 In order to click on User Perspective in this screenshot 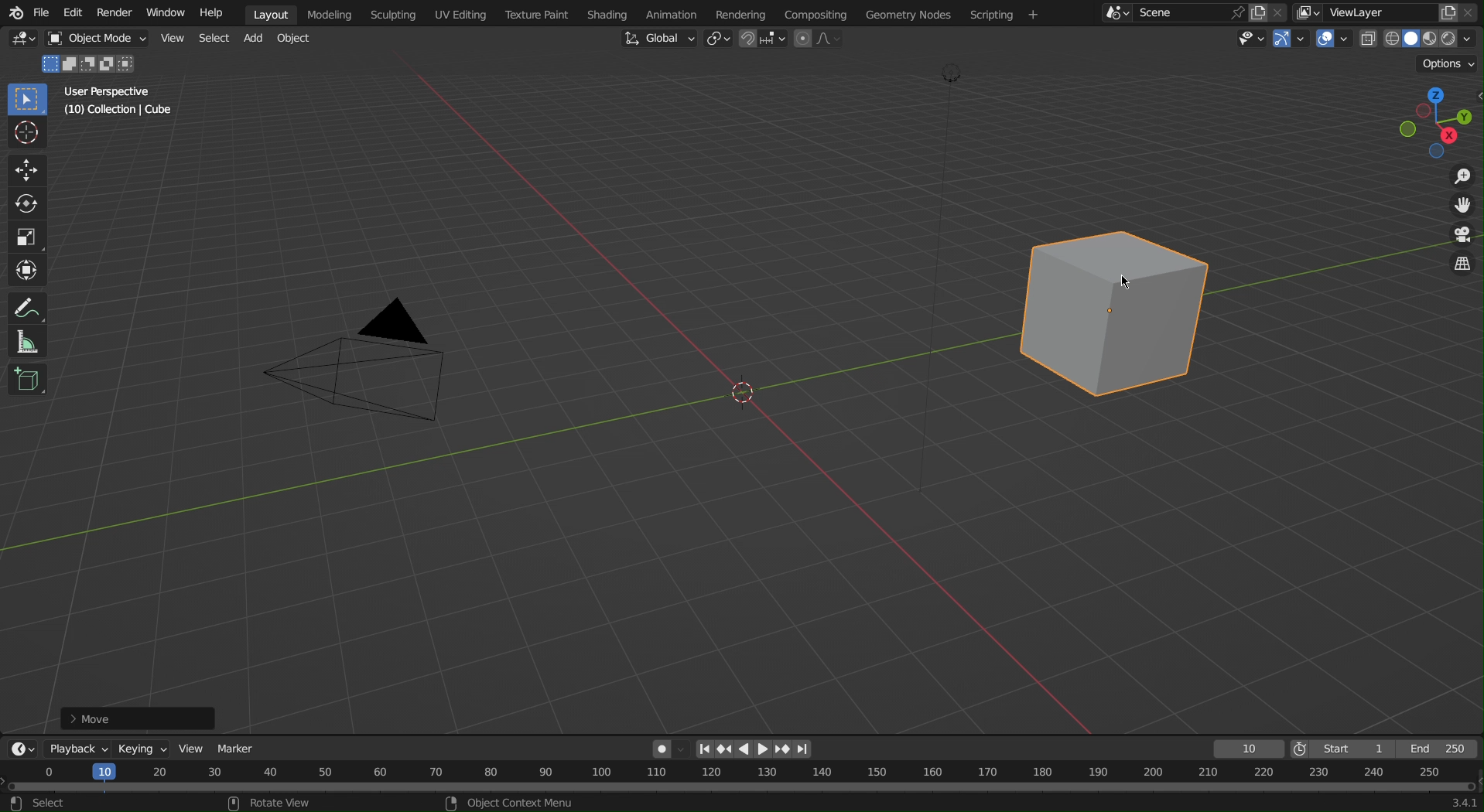, I will do `click(114, 94)`.